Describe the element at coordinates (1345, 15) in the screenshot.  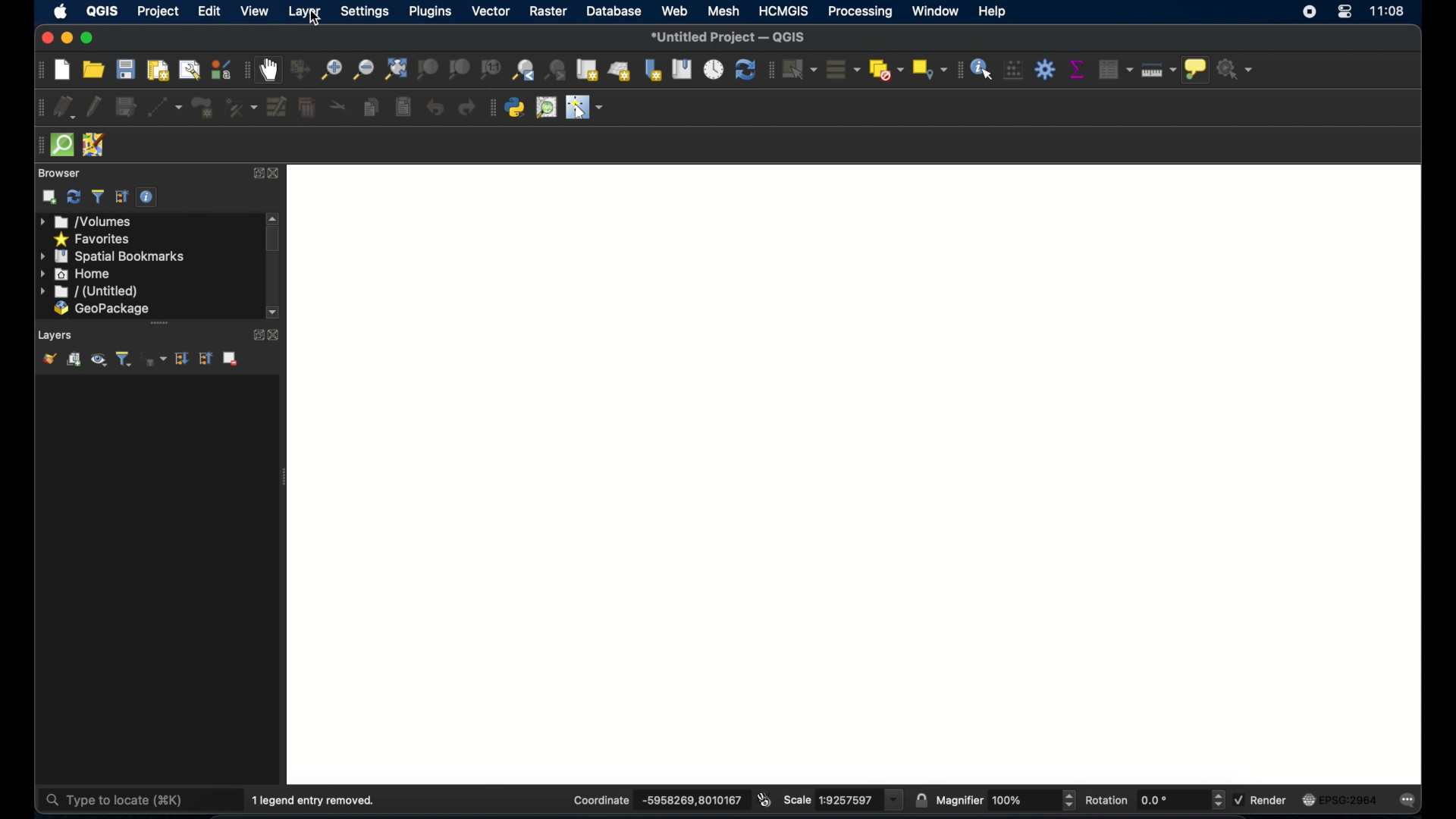
I see `control center` at that location.